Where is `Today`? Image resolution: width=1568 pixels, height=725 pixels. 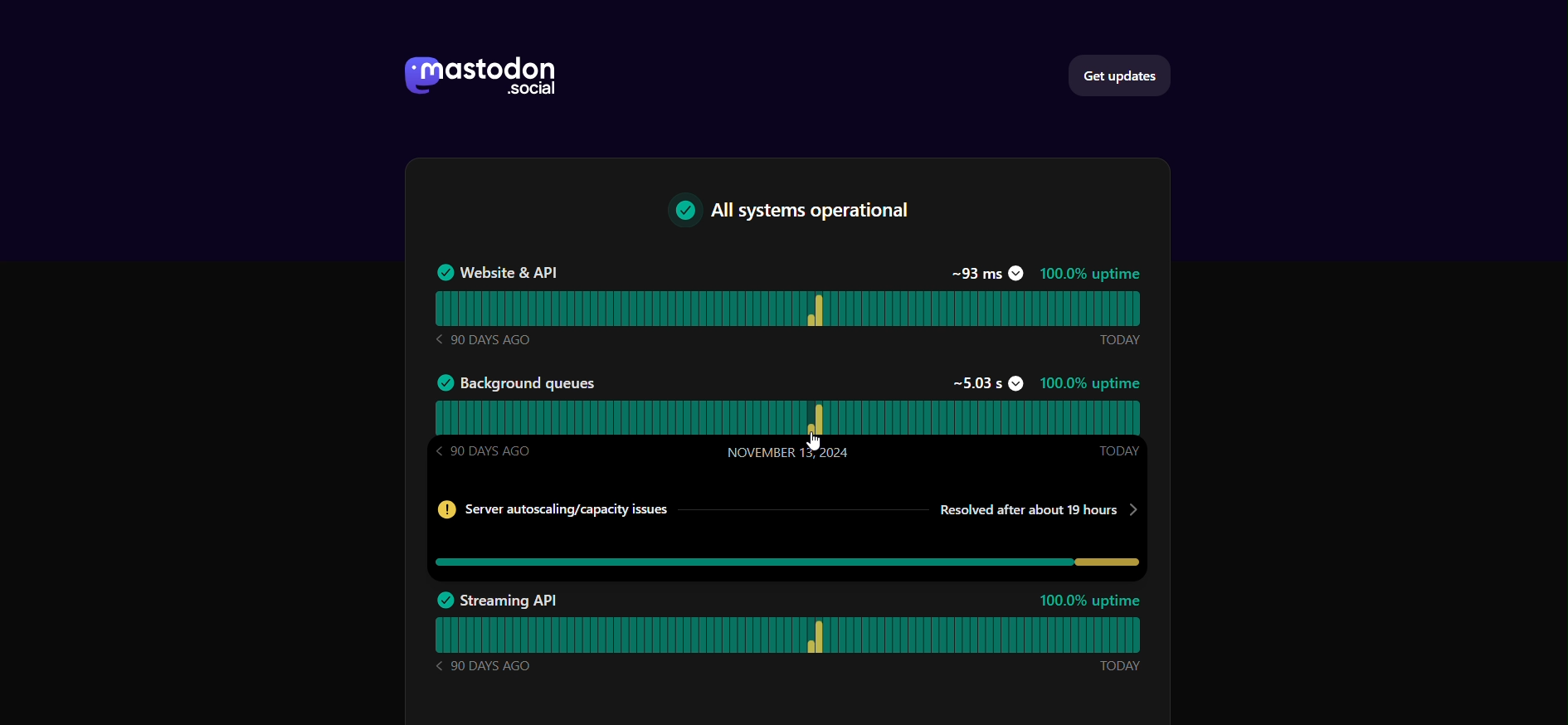 Today is located at coordinates (1119, 666).